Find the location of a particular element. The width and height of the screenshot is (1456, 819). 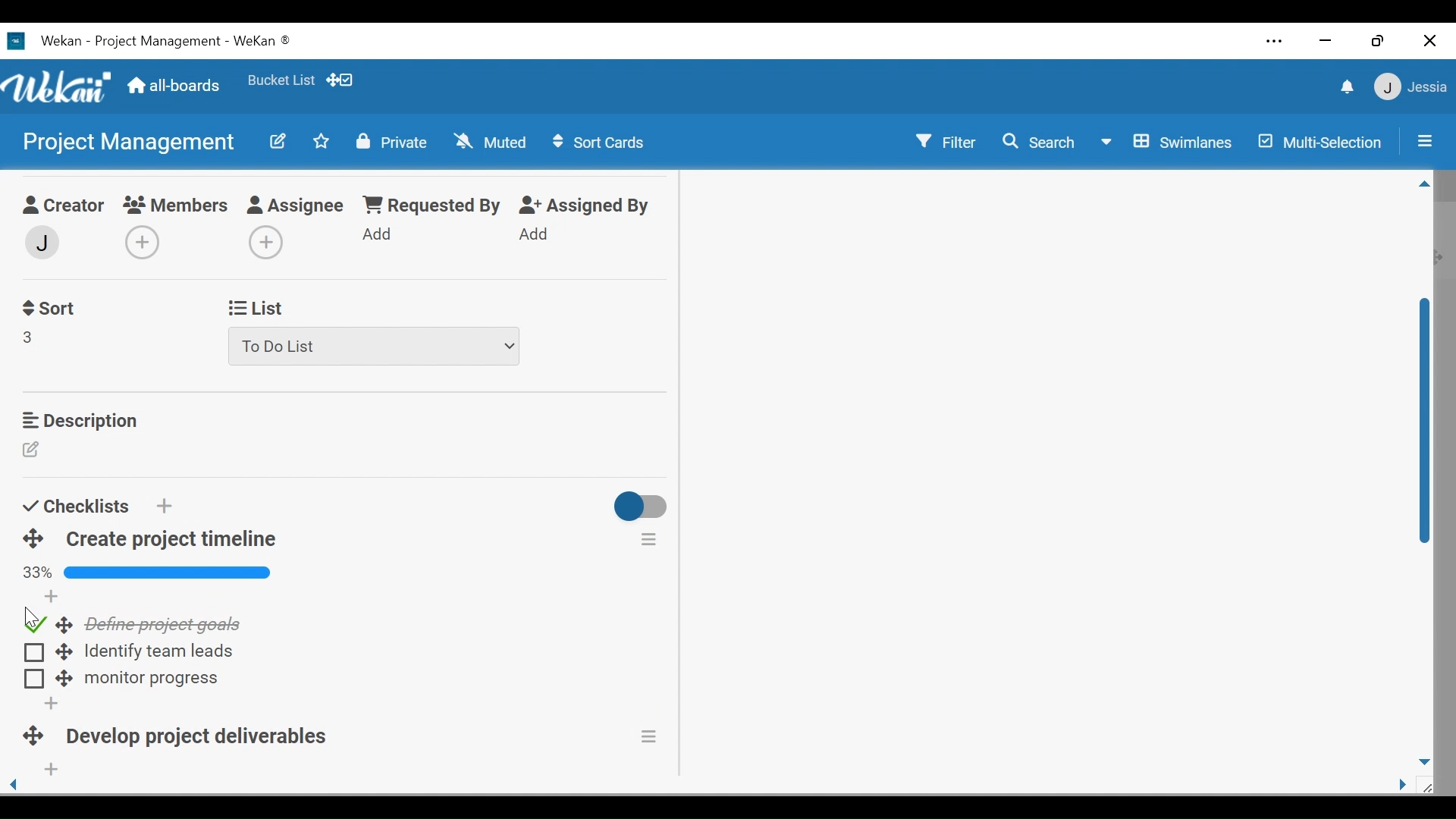

Muted is located at coordinates (489, 141).